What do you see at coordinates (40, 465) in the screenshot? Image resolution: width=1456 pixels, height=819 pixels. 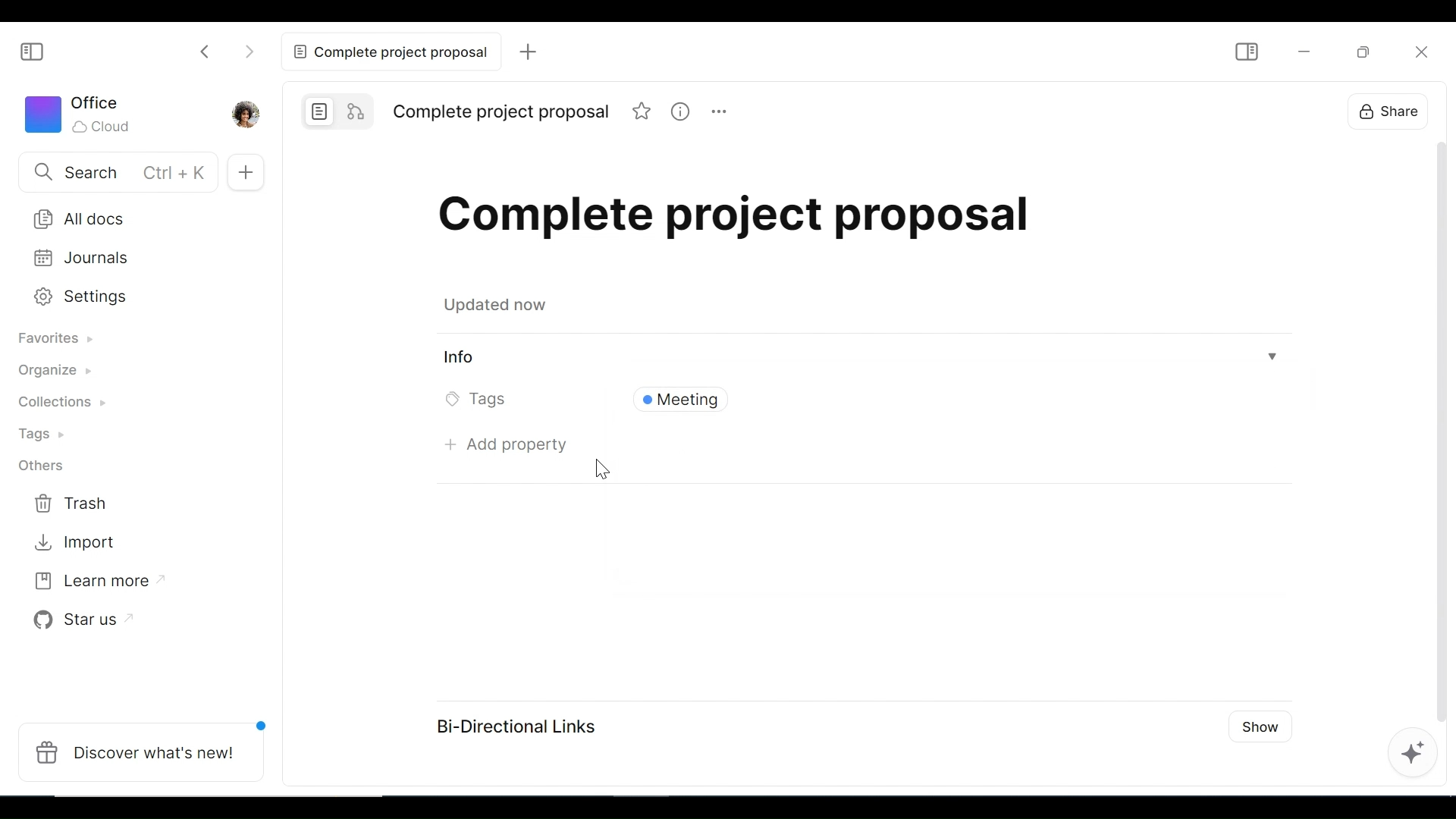 I see `Others` at bounding box center [40, 465].